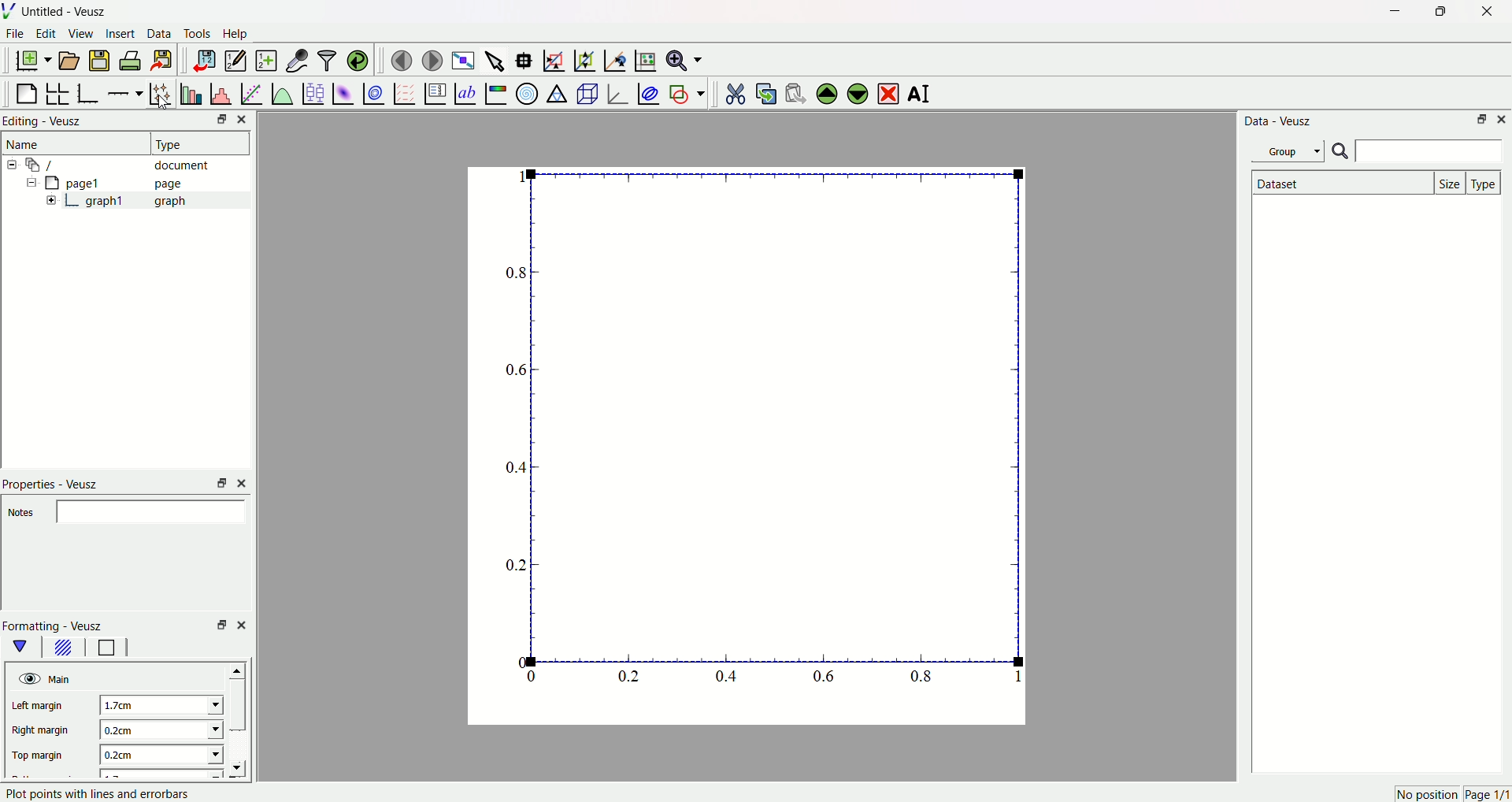  Describe the element at coordinates (281, 93) in the screenshot. I see `plot a function` at that location.